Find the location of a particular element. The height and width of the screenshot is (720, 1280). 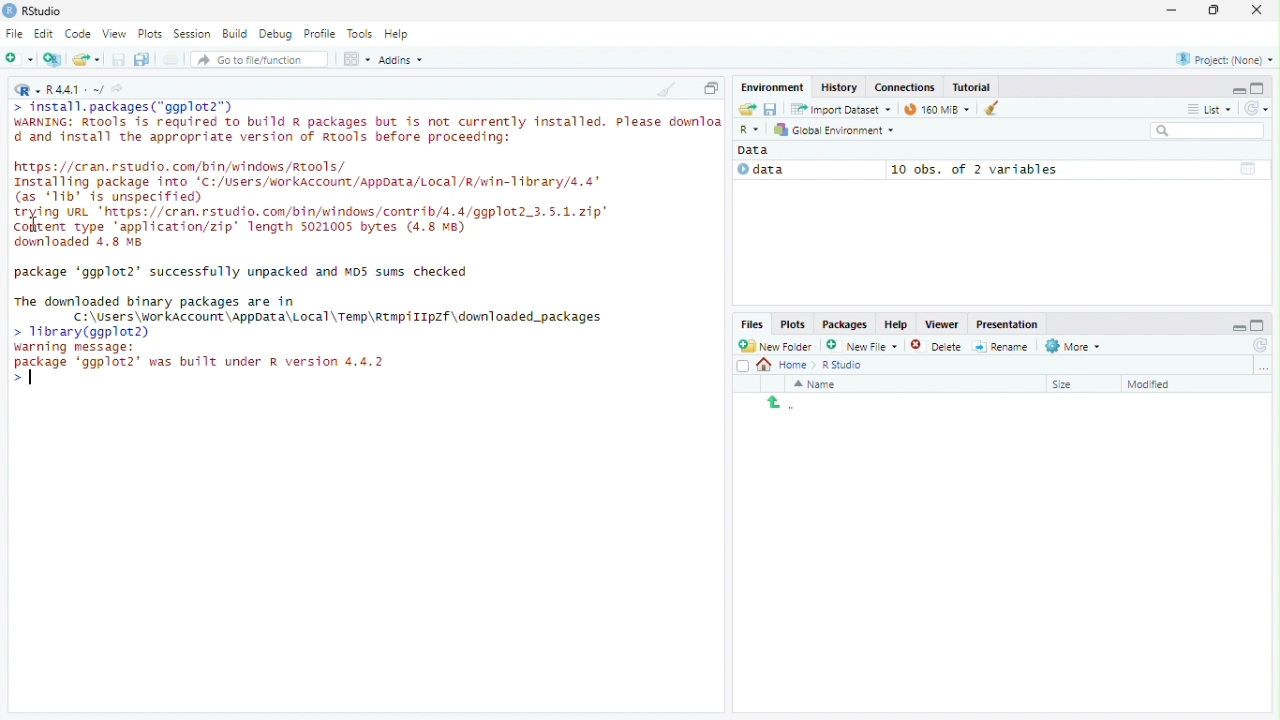

Select all is located at coordinates (743, 365).